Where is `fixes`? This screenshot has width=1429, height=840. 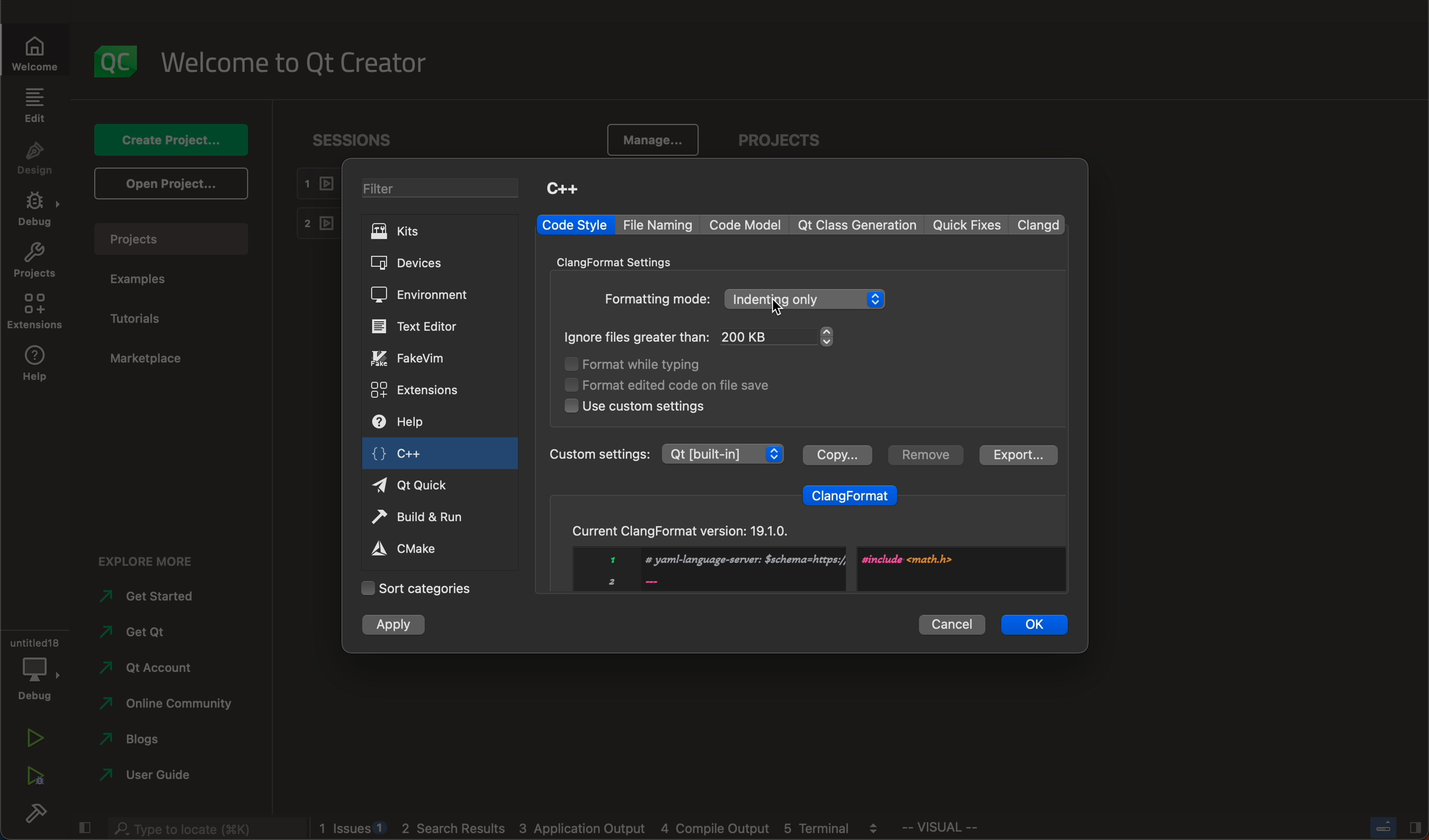 fixes is located at coordinates (969, 226).